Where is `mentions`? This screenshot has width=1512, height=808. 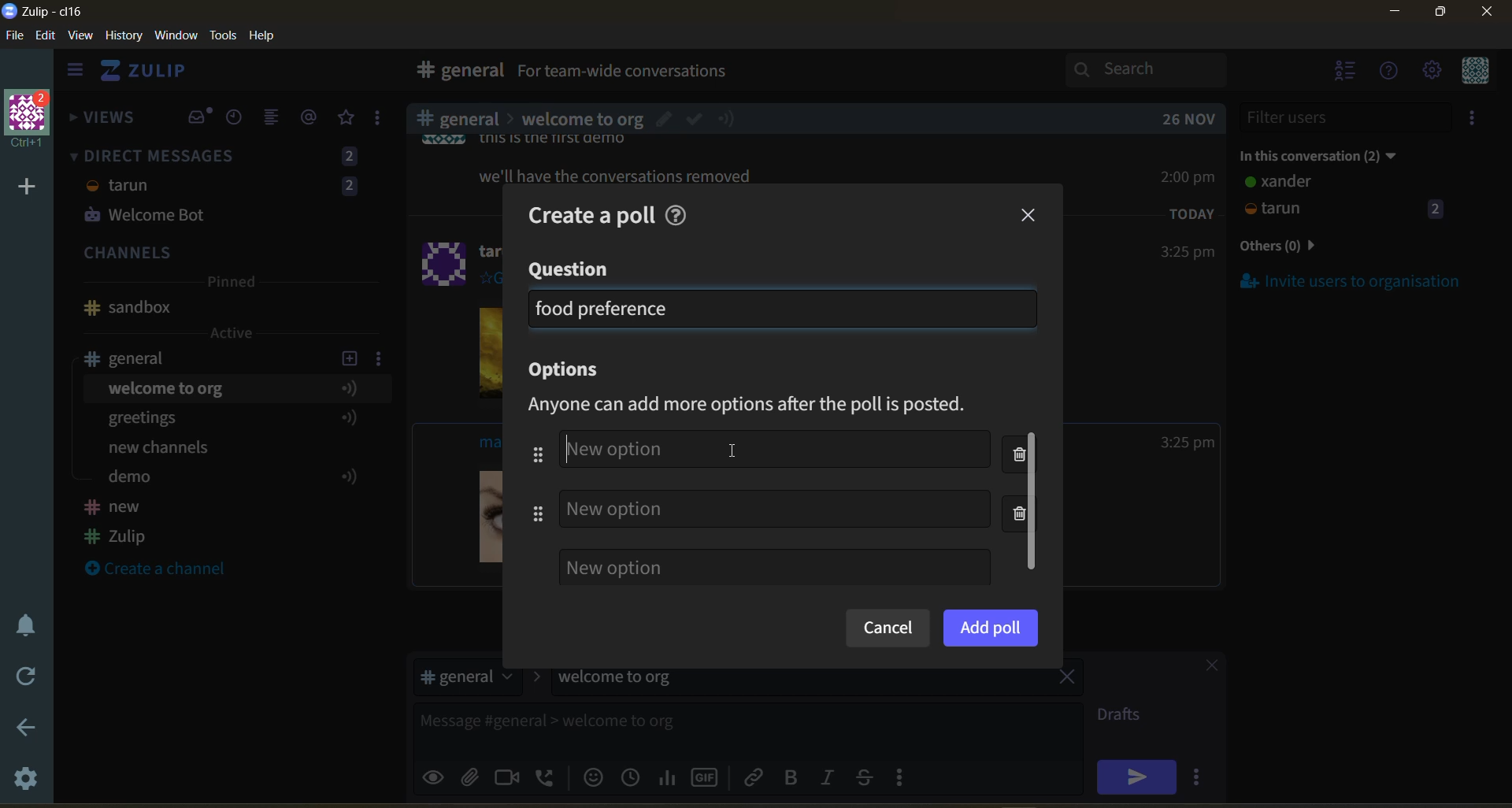
mentions is located at coordinates (312, 117).